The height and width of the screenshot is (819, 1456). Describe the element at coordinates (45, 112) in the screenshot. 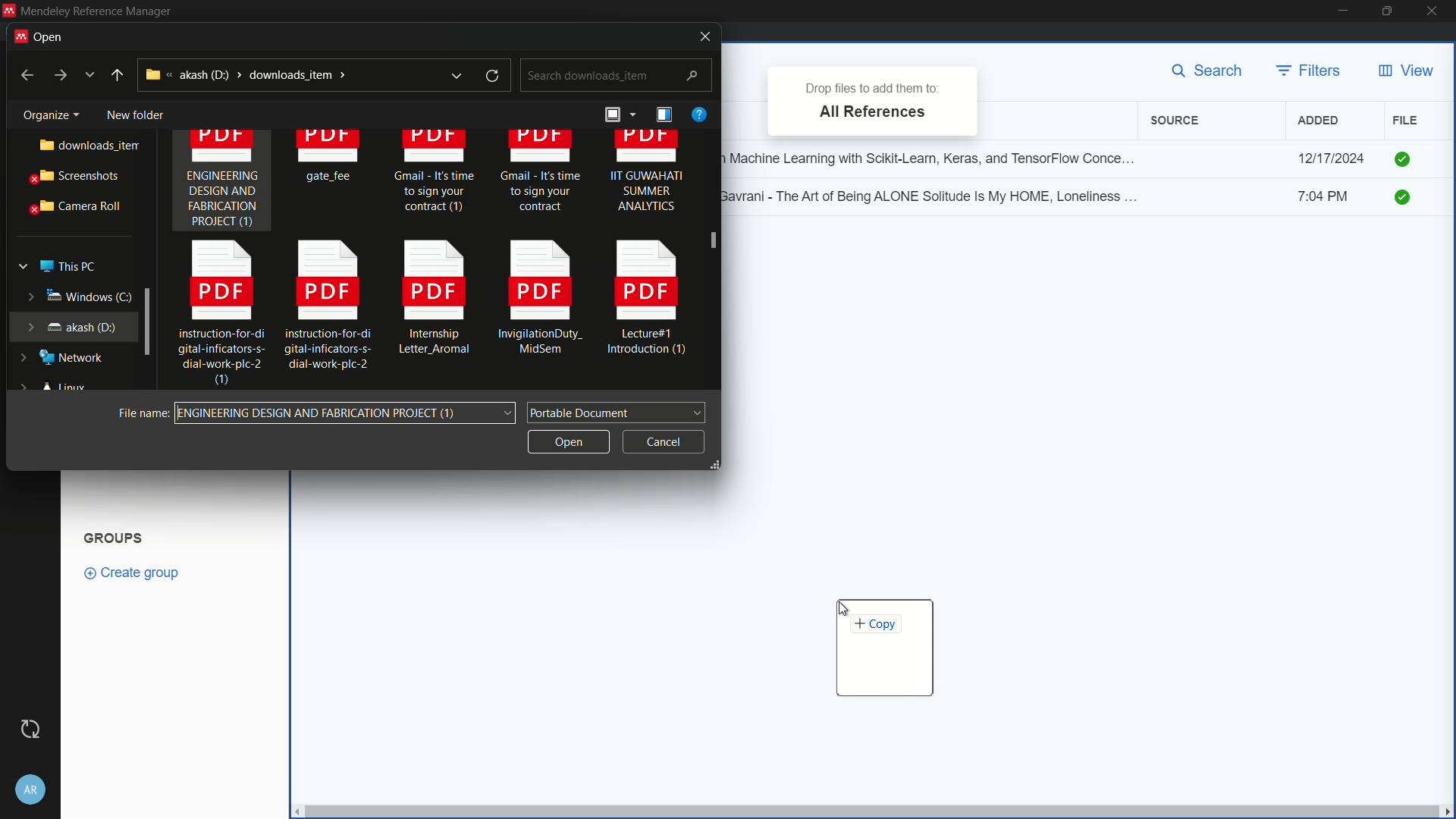

I see `Organize` at that location.